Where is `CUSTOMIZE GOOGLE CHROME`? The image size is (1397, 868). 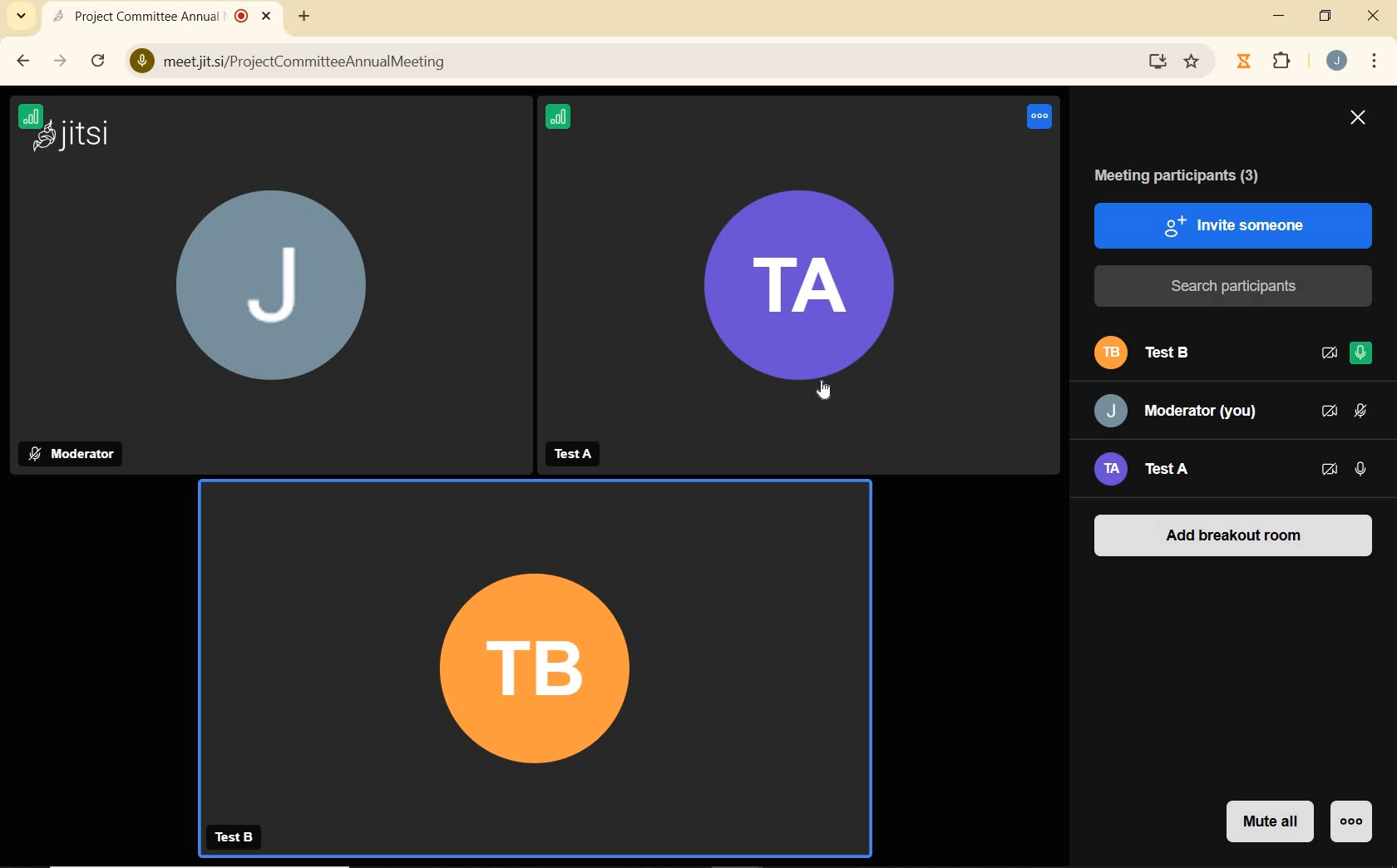 CUSTOMIZE GOOGLE CHROME is located at coordinates (1373, 62).